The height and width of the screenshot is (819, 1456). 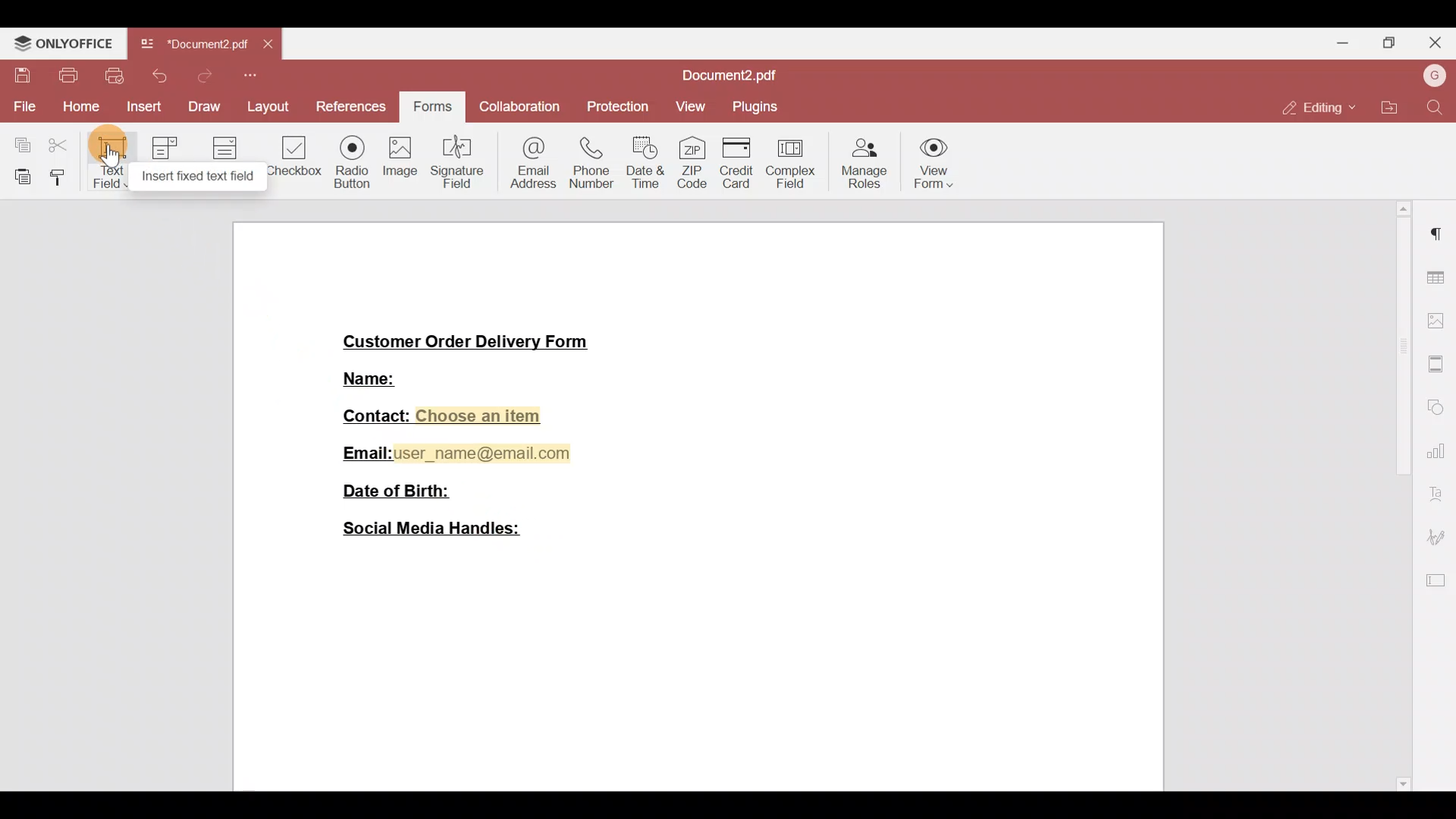 What do you see at coordinates (202, 76) in the screenshot?
I see `Redo` at bounding box center [202, 76].